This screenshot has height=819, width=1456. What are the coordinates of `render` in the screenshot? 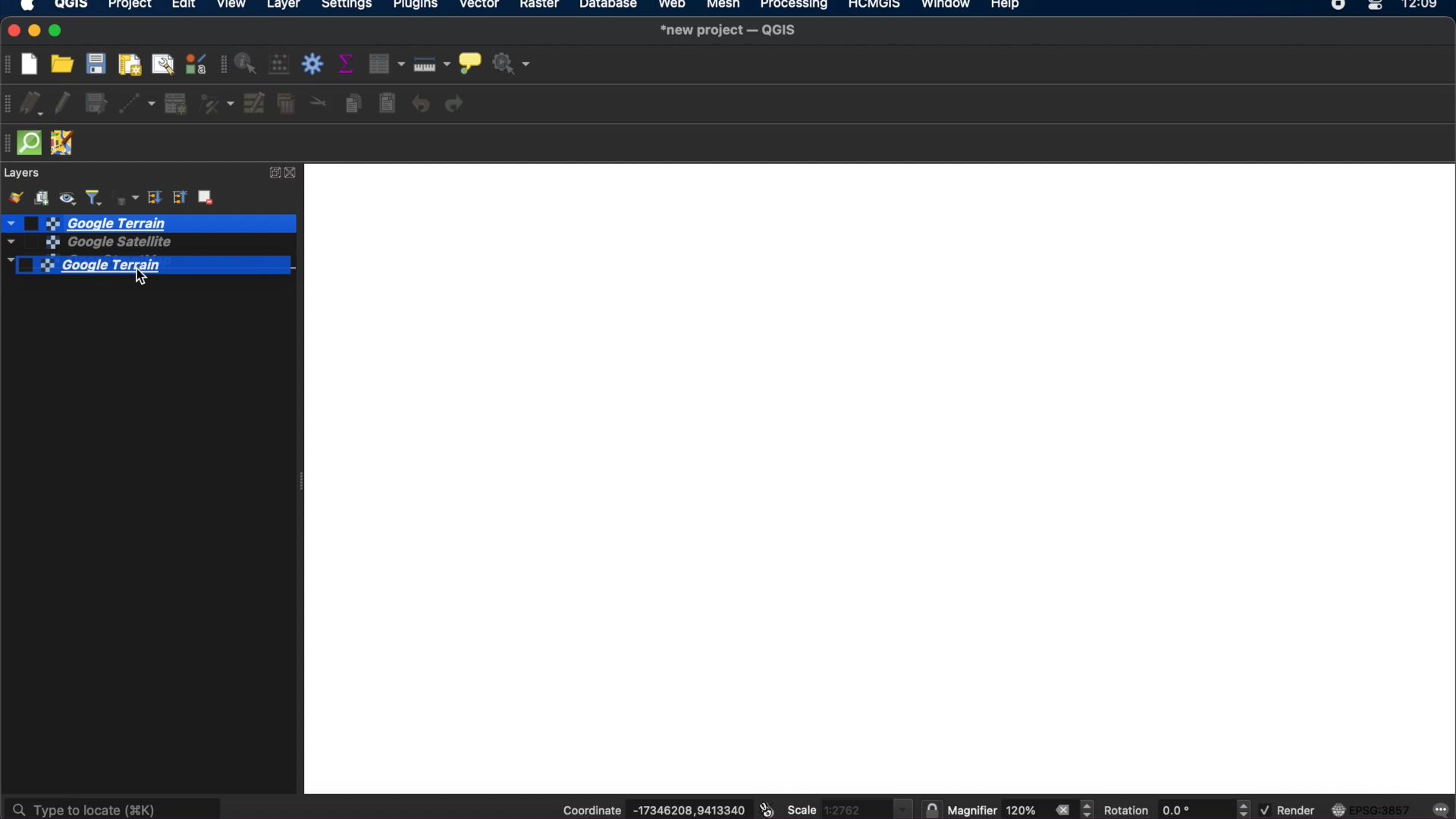 It's located at (1287, 810).